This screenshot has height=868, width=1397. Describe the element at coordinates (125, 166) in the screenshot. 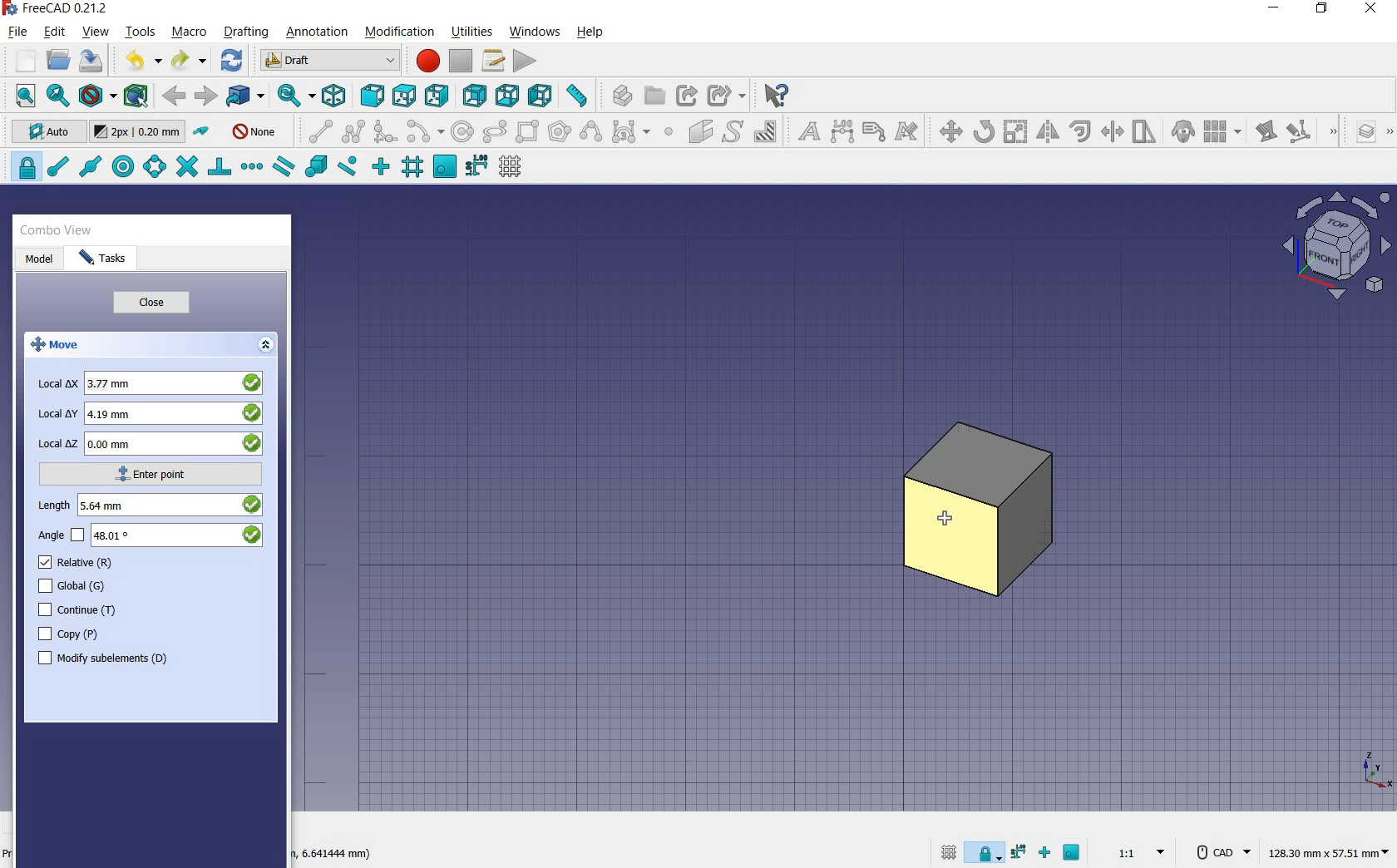

I see `snap center` at that location.